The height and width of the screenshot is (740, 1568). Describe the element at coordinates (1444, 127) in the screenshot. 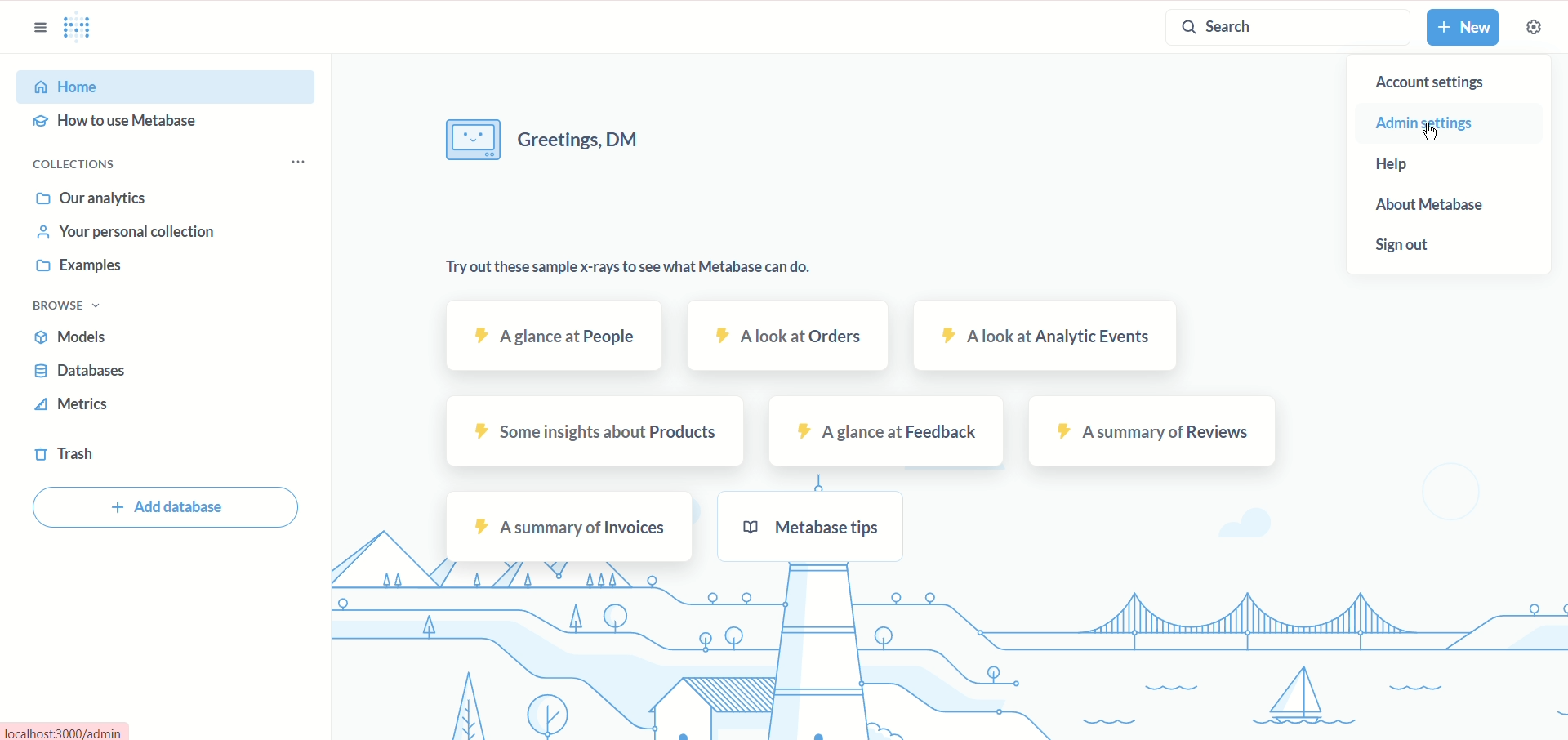

I see `Admin settings` at that location.